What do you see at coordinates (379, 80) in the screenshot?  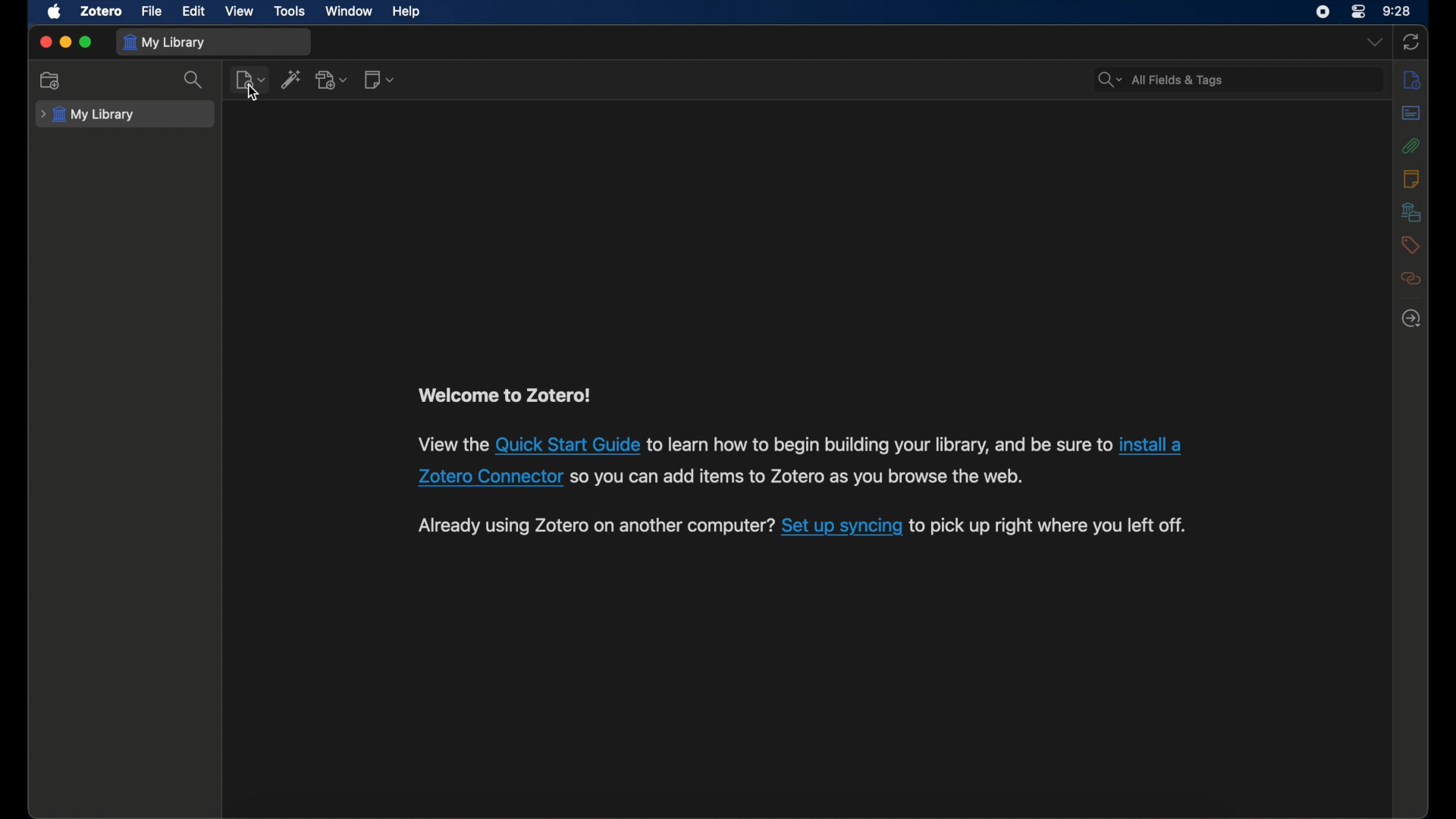 I see `new note` at bounding box center [379, 80].